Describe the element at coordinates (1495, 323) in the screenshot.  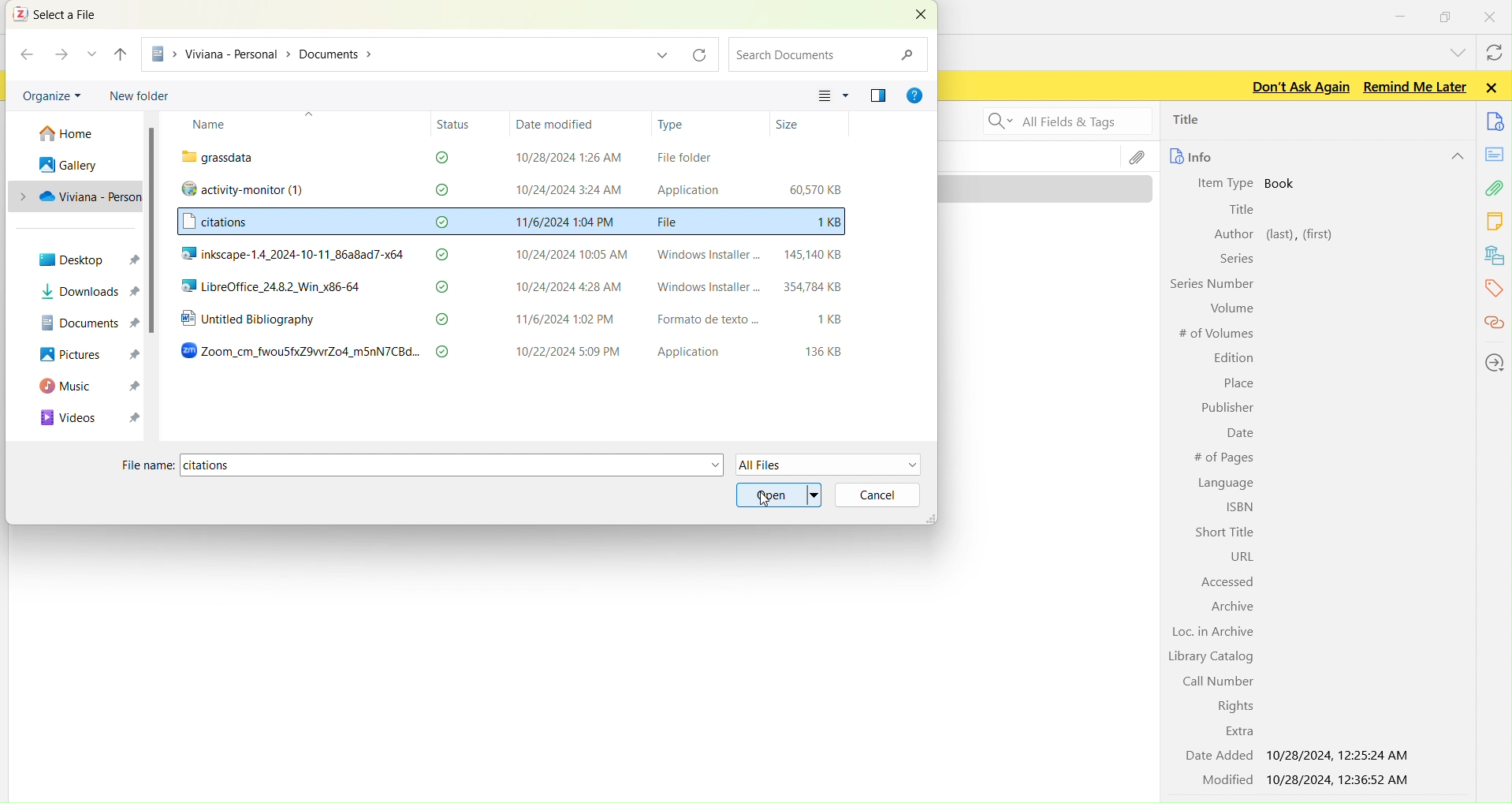
I see `citations` at that location.